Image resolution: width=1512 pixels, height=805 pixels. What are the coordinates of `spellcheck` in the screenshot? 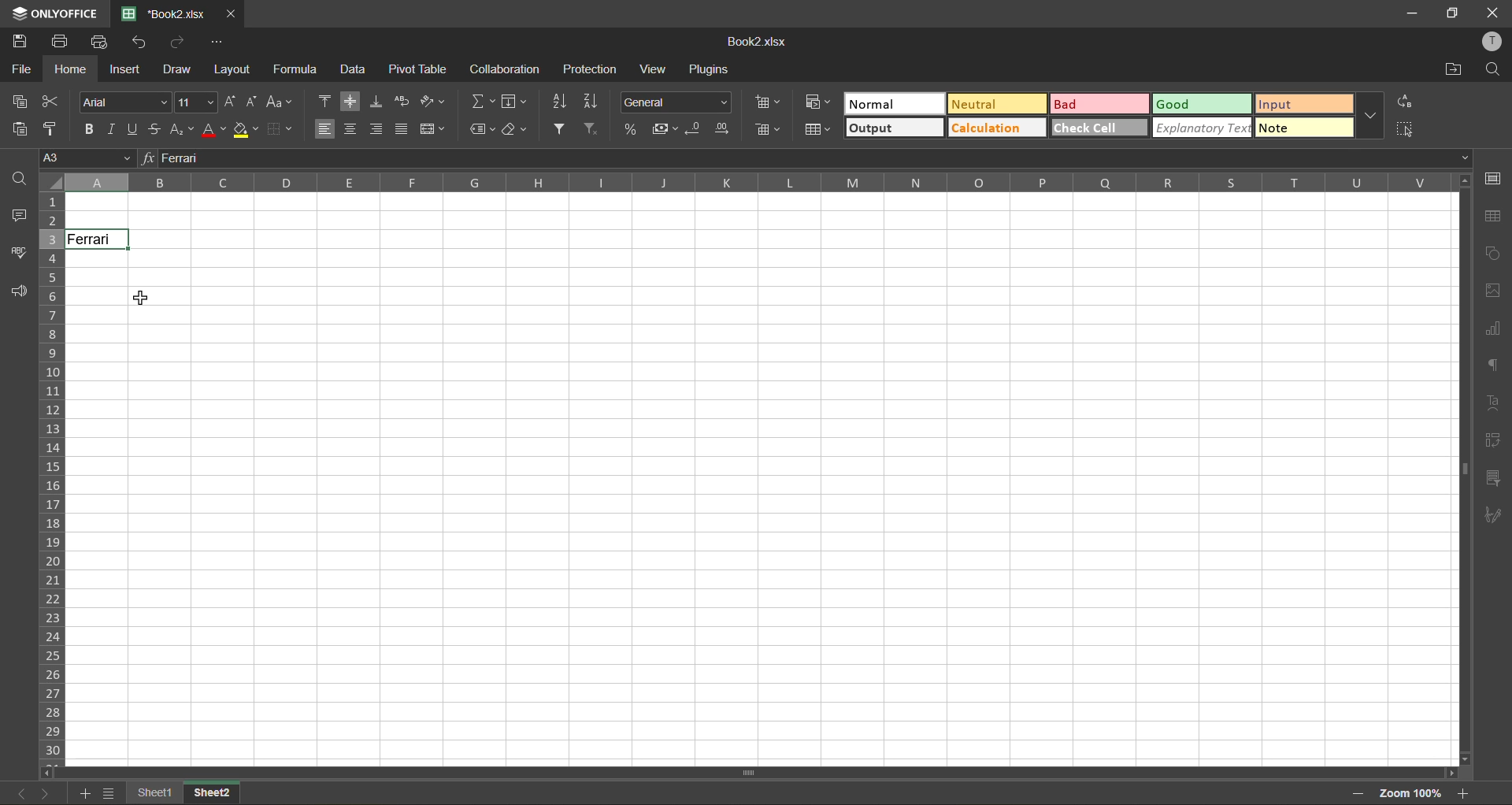 It's located at (15, 252).